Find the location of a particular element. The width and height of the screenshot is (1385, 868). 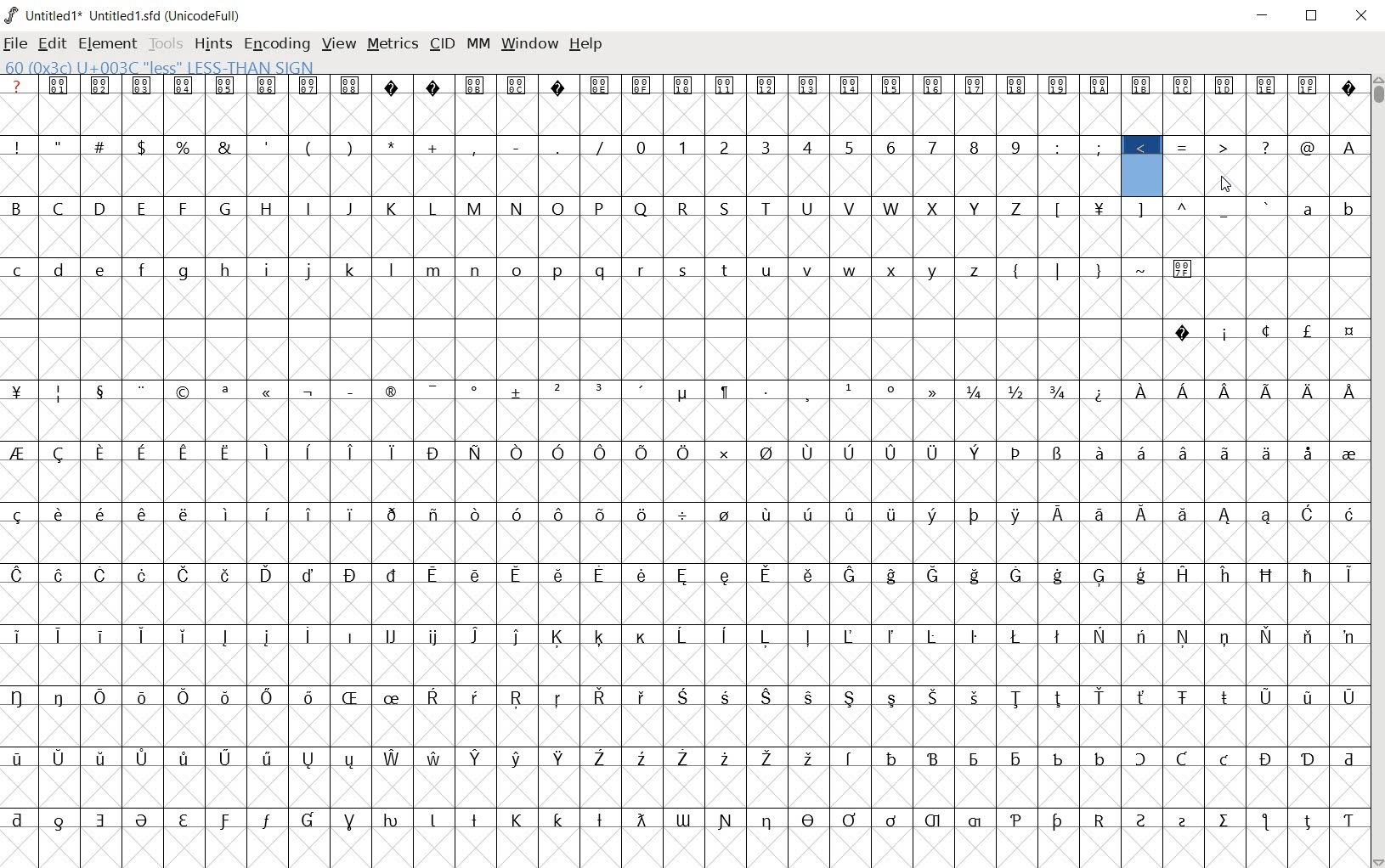

encoding is located at coordinates (275, 44).